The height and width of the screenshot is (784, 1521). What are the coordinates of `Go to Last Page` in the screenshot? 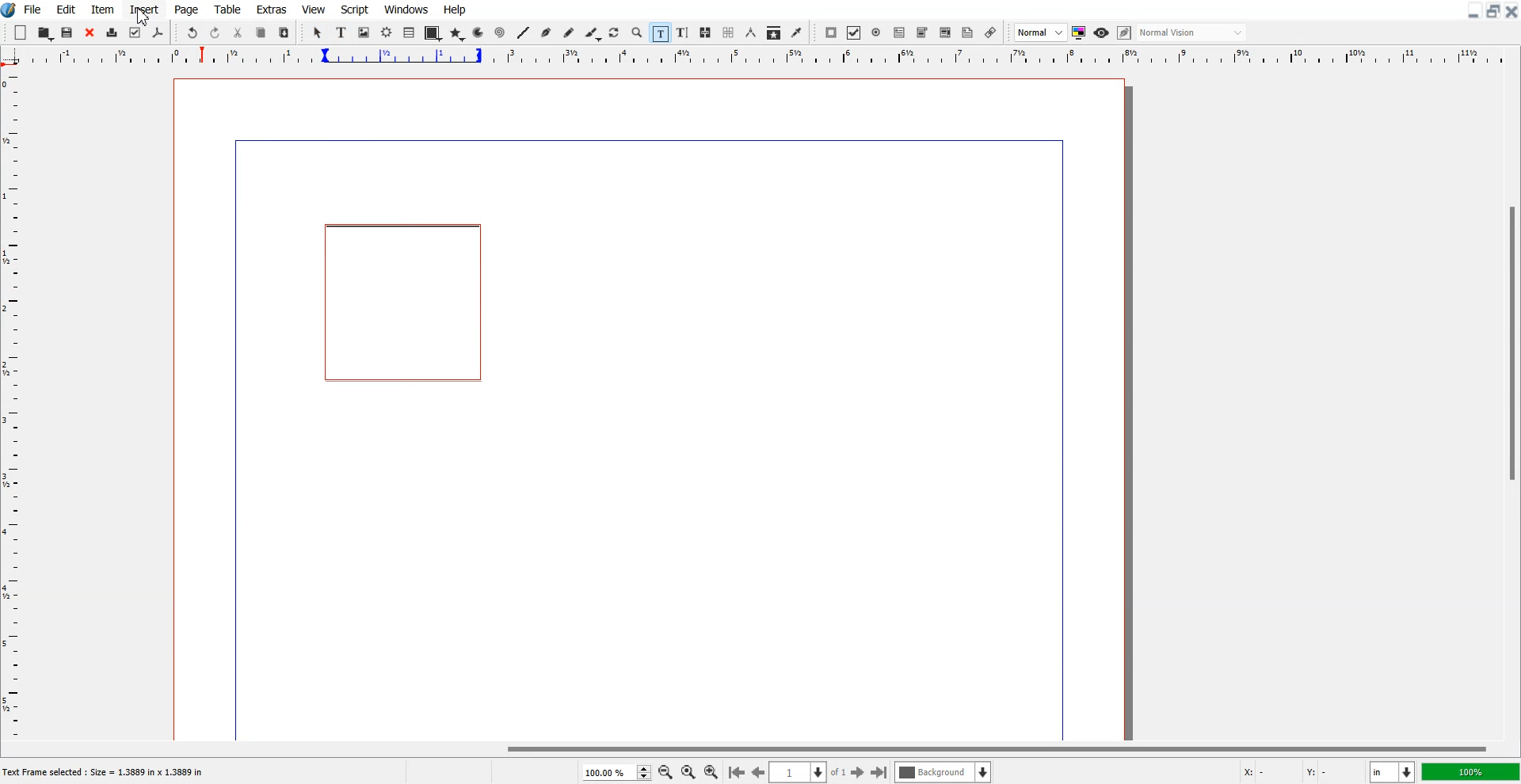 It's located at (879, 773).